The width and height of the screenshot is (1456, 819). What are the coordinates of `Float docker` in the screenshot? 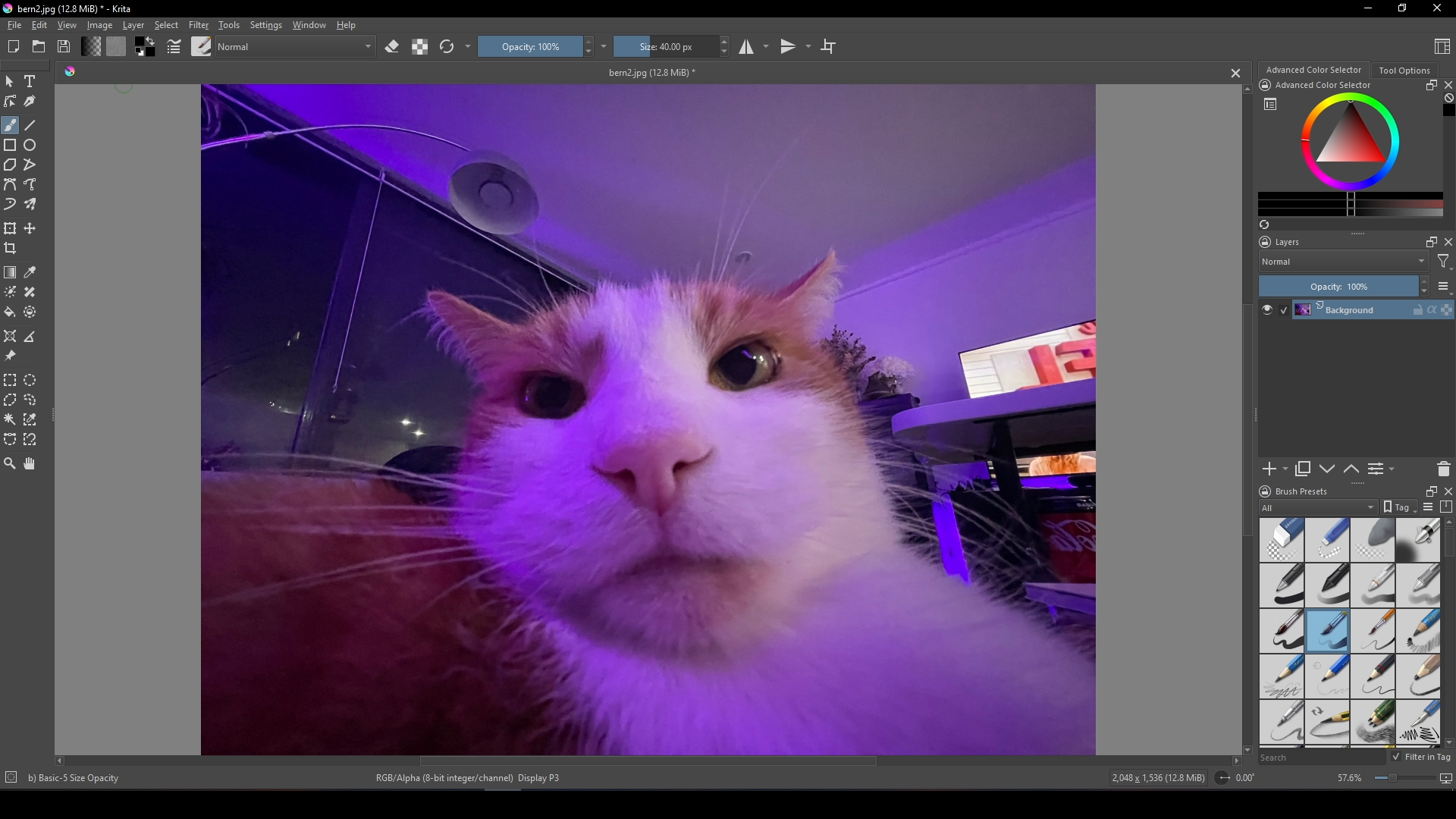 It's located at (1430, 242).